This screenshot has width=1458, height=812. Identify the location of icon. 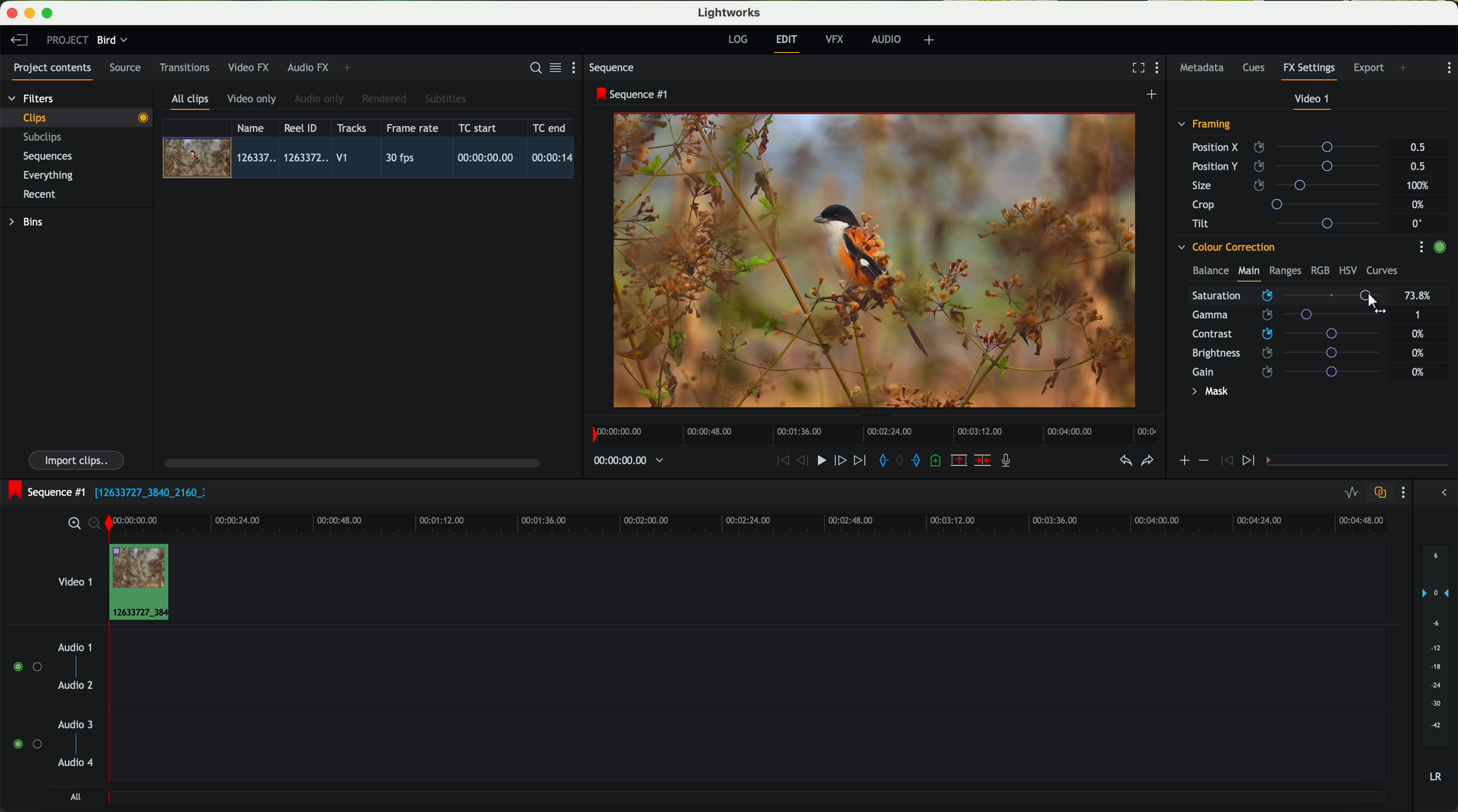
(1250, 461).